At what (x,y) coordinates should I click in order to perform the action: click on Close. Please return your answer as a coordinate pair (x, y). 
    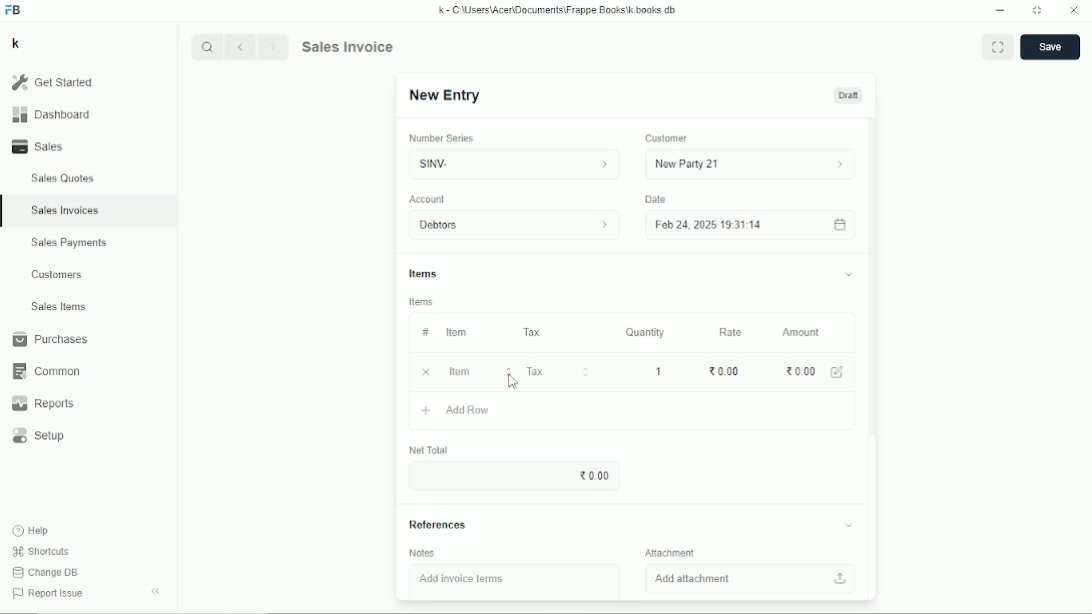
    Looking at the image, I should click on (1074, 11).